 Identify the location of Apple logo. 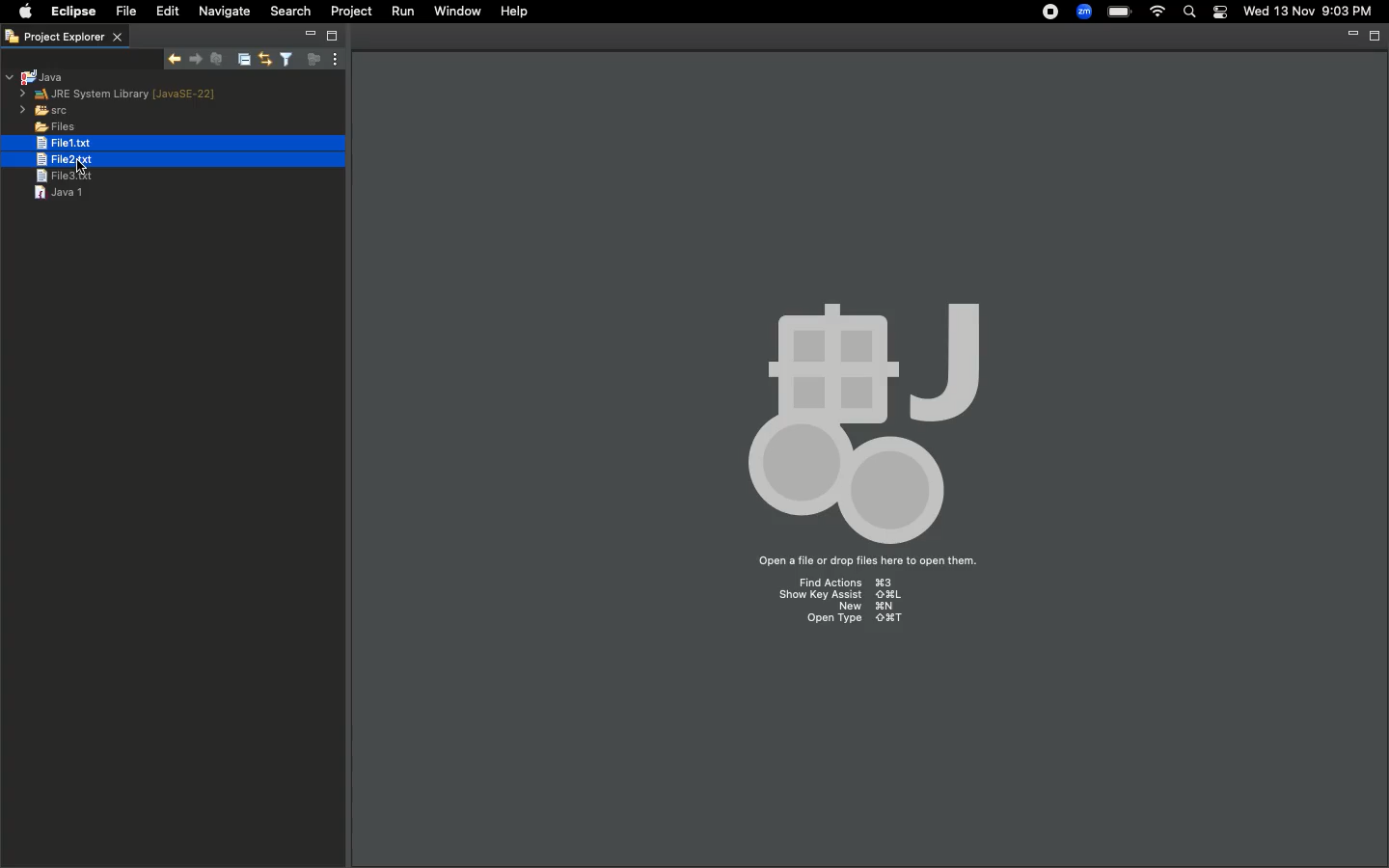
(21, 14).